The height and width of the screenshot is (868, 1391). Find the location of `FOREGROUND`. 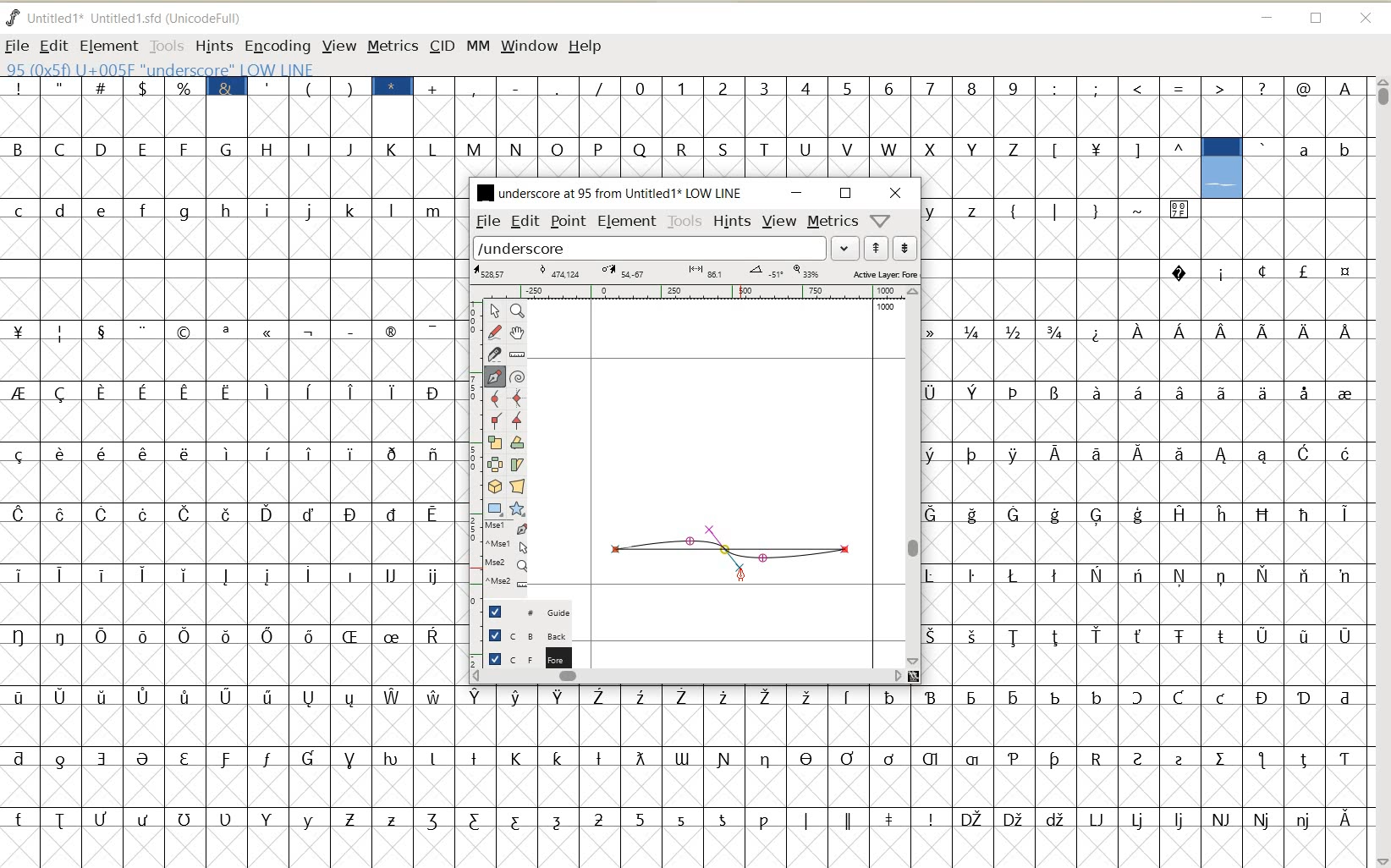

FOREGROUND is located at coordinates (522, 656).